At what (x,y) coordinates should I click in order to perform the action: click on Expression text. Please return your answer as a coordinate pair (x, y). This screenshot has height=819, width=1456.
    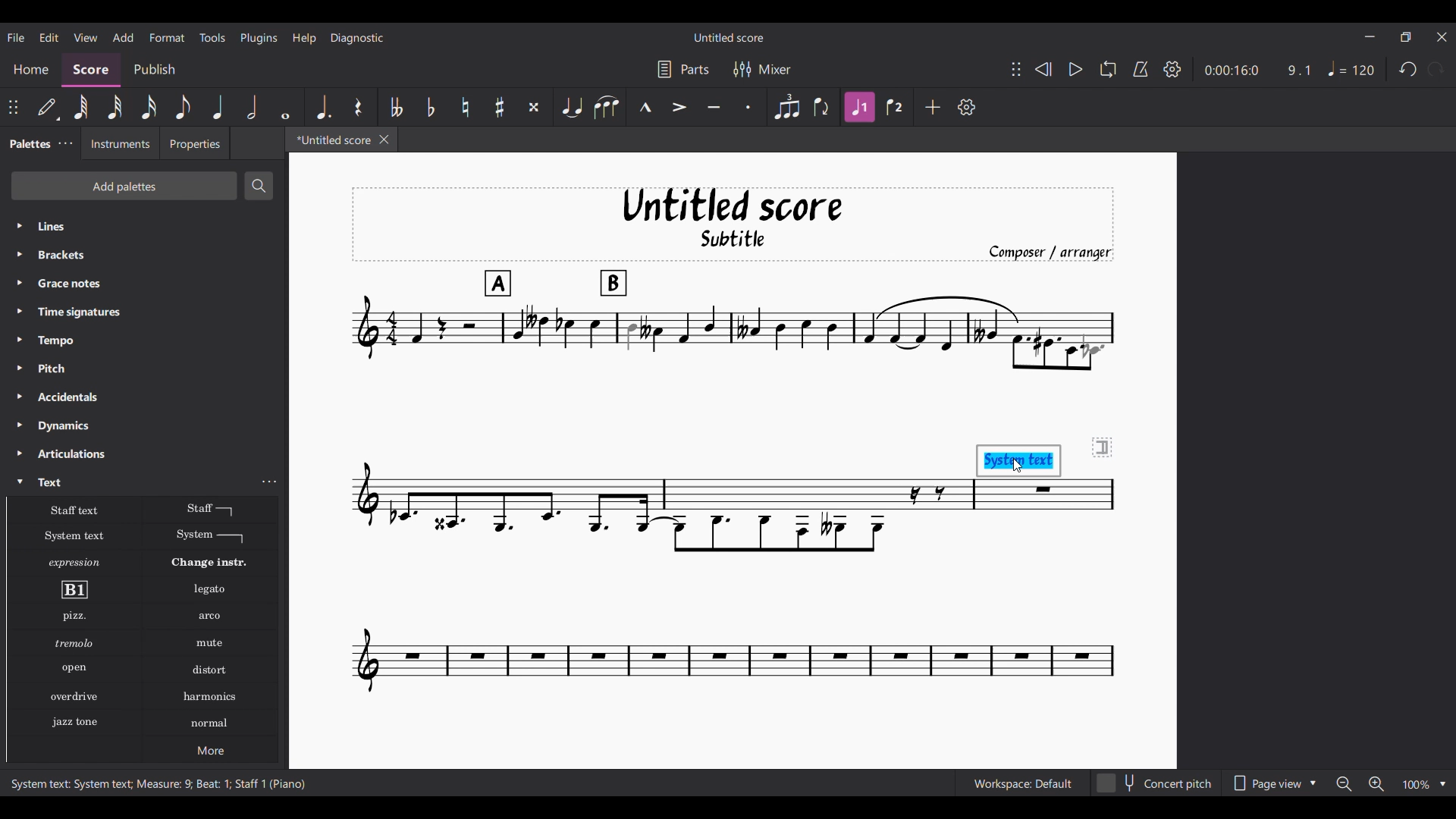
    Looking at the image, I should click on (74, 563).